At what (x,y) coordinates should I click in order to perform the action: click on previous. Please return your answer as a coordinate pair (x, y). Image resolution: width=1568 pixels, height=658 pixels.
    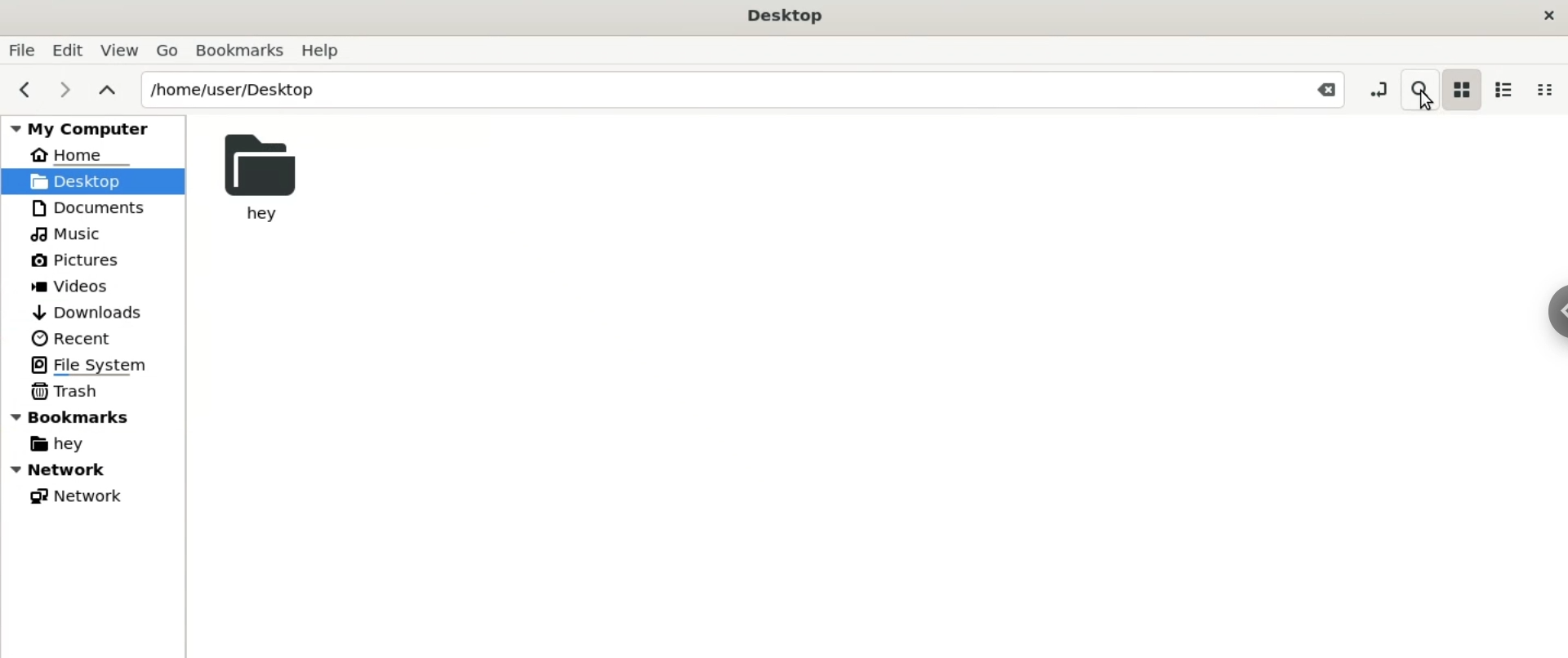
    Looking at the image, I should click on (21, 91).